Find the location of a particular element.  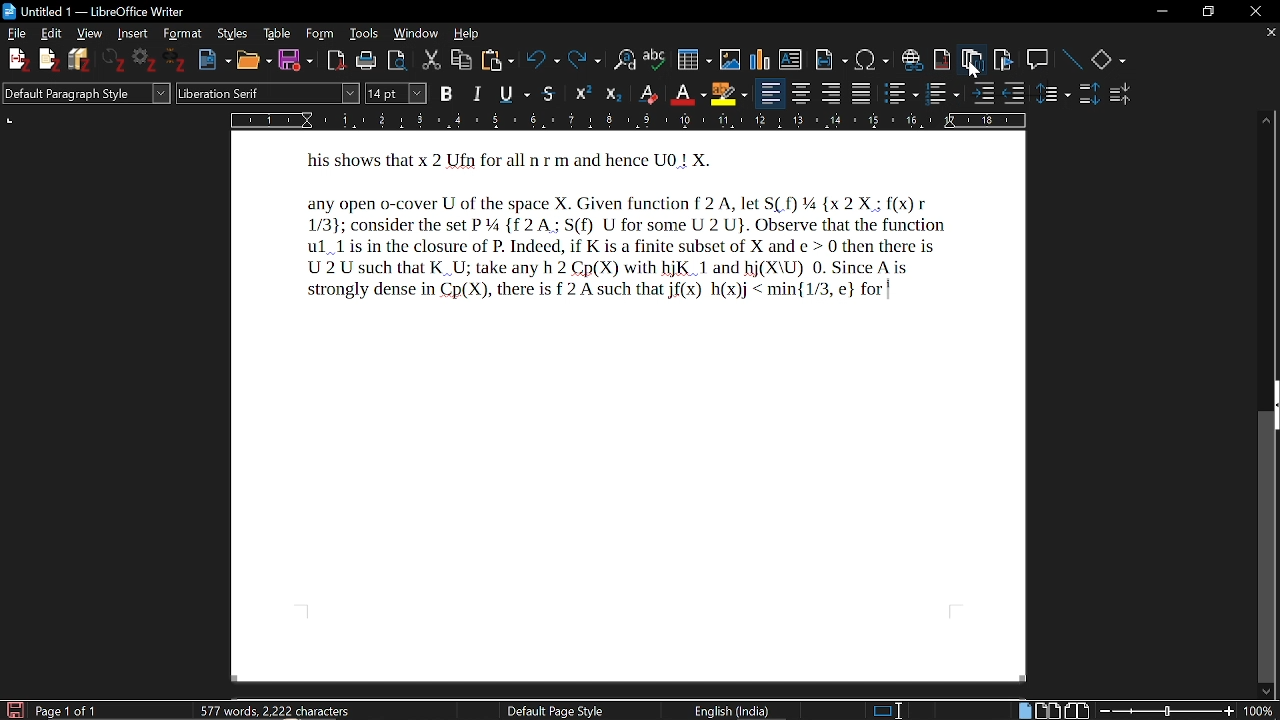

Paragraph style is located at coordinates (86, 94).